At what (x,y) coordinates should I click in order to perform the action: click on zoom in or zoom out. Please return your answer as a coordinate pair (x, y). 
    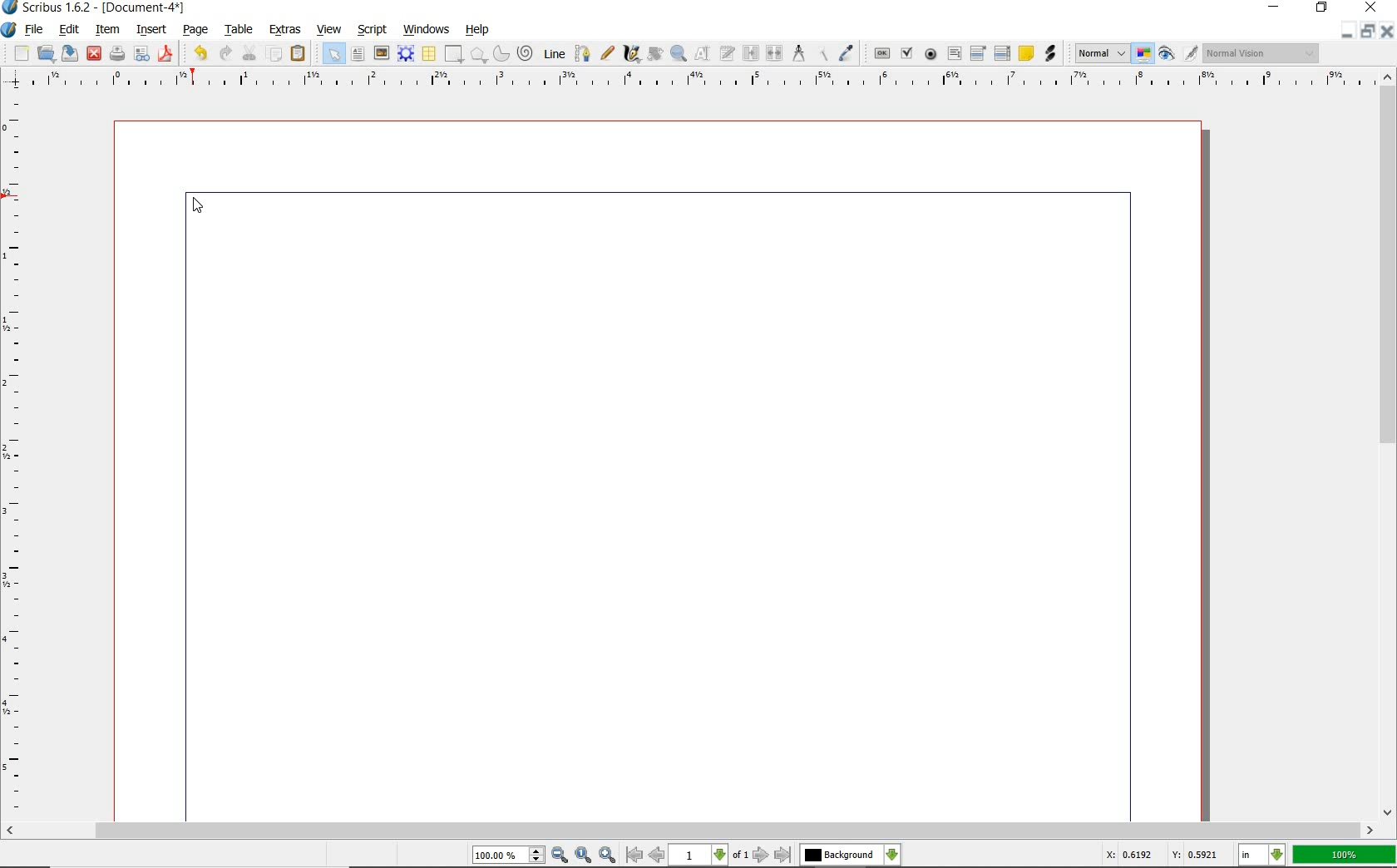
    Looking at the image, I should click on (678, 55).